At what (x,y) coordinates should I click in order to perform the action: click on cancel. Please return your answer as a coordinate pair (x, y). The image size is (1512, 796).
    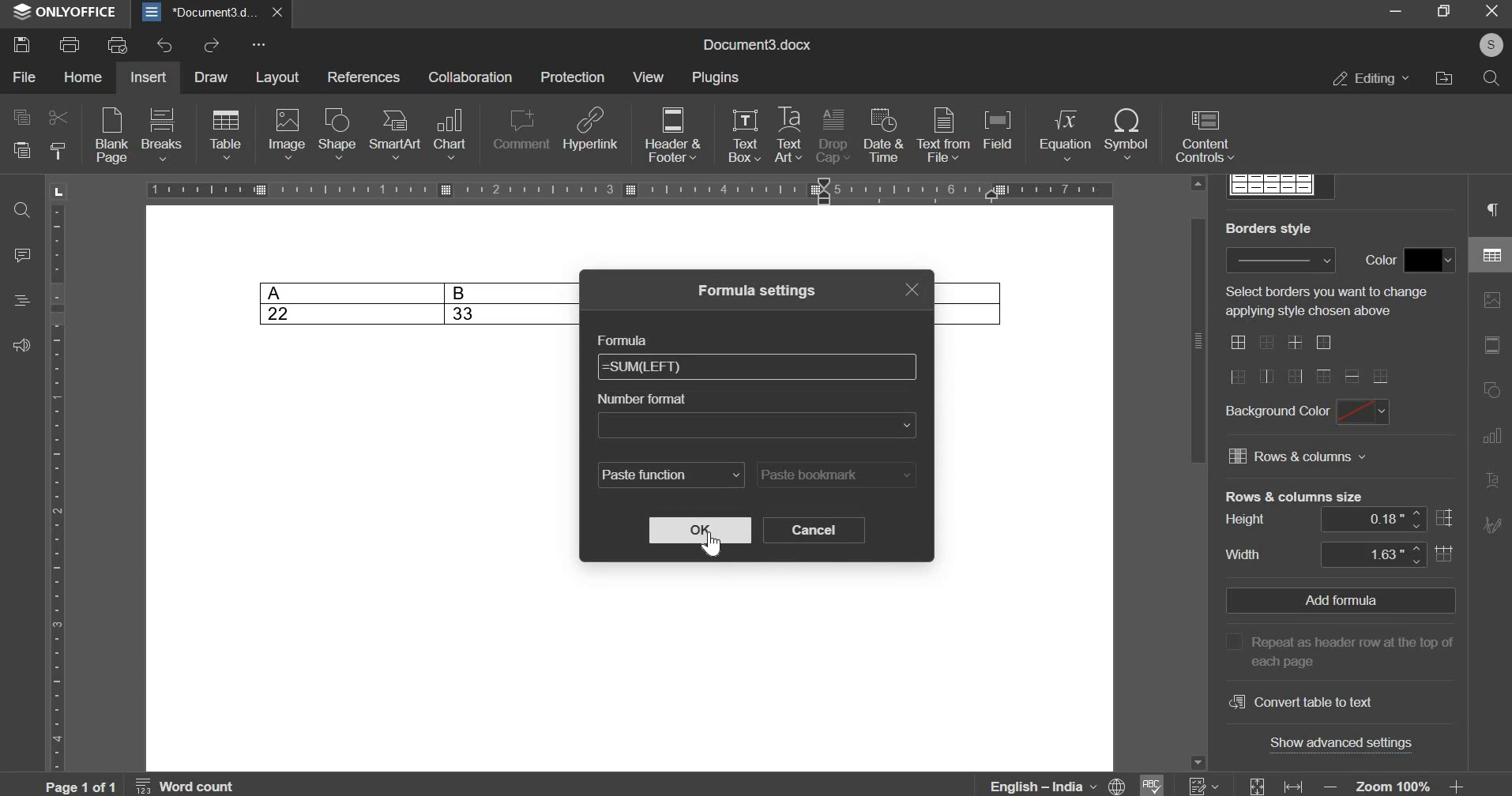
    Looking at the image, I should click on (814, 530).